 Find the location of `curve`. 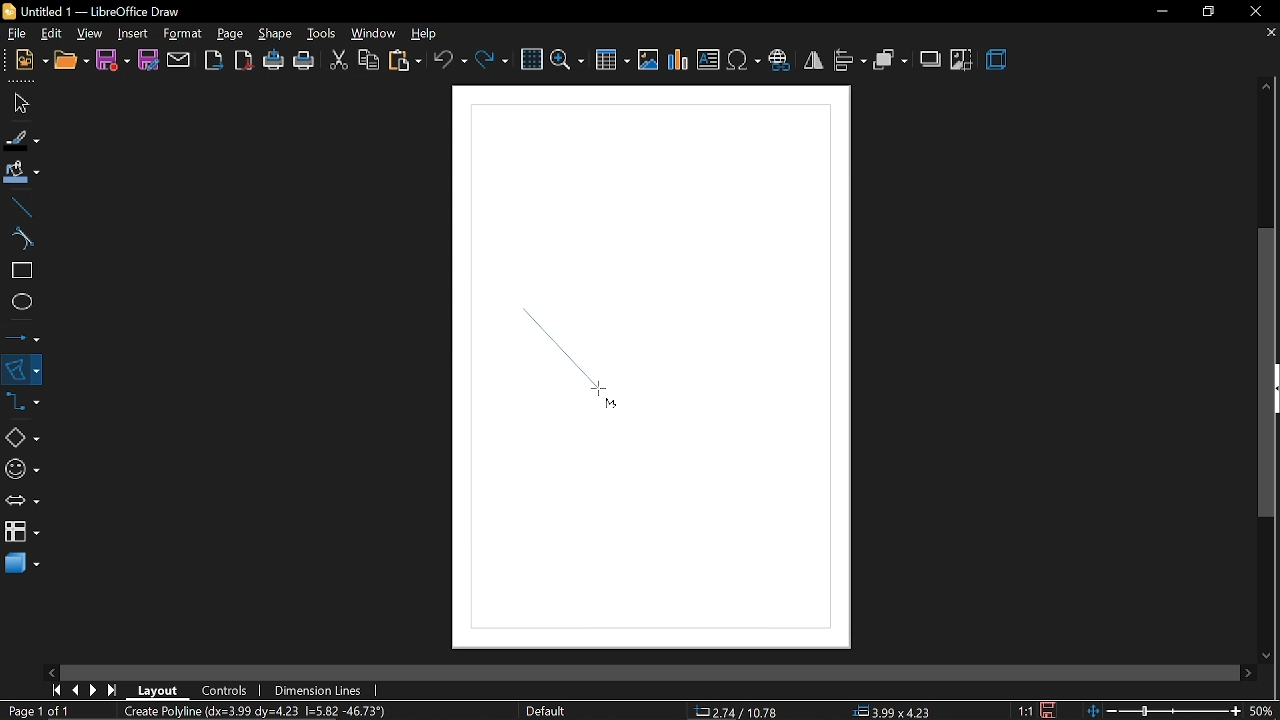

curve is located at coordinates (18, 240).